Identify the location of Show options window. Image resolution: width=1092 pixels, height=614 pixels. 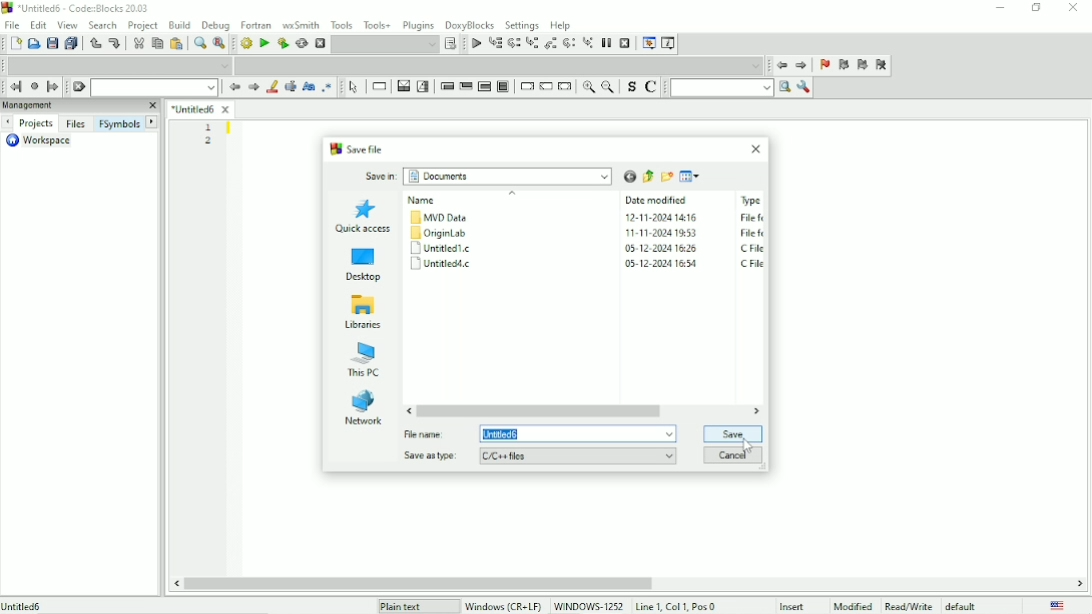
(805, 88).